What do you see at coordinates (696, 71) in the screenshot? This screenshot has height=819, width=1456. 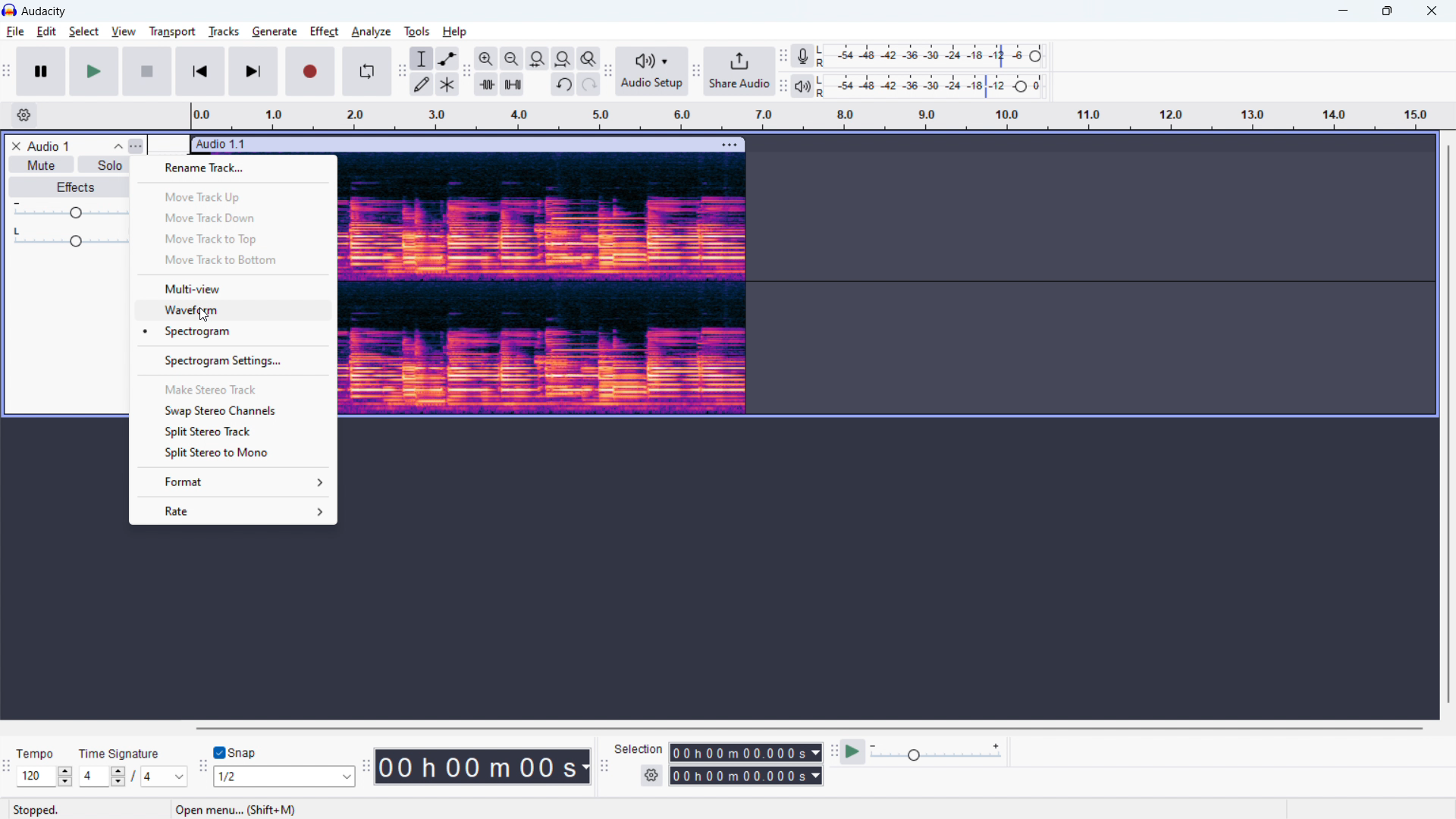 I see `share audio toolbar` at bounding box center [696, 71].